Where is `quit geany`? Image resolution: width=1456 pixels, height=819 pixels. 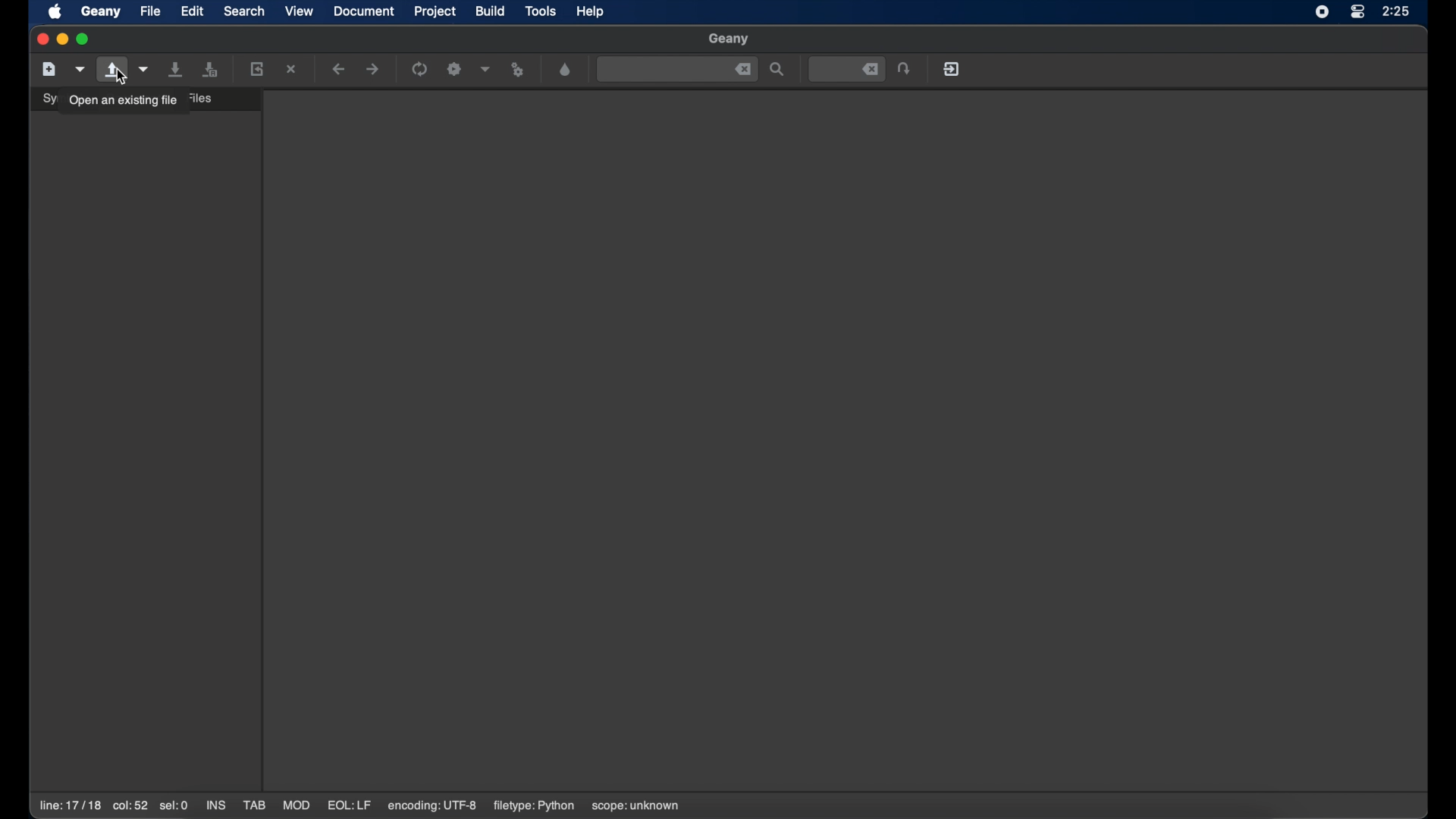
quit geany is located at coordinates (952, 69).